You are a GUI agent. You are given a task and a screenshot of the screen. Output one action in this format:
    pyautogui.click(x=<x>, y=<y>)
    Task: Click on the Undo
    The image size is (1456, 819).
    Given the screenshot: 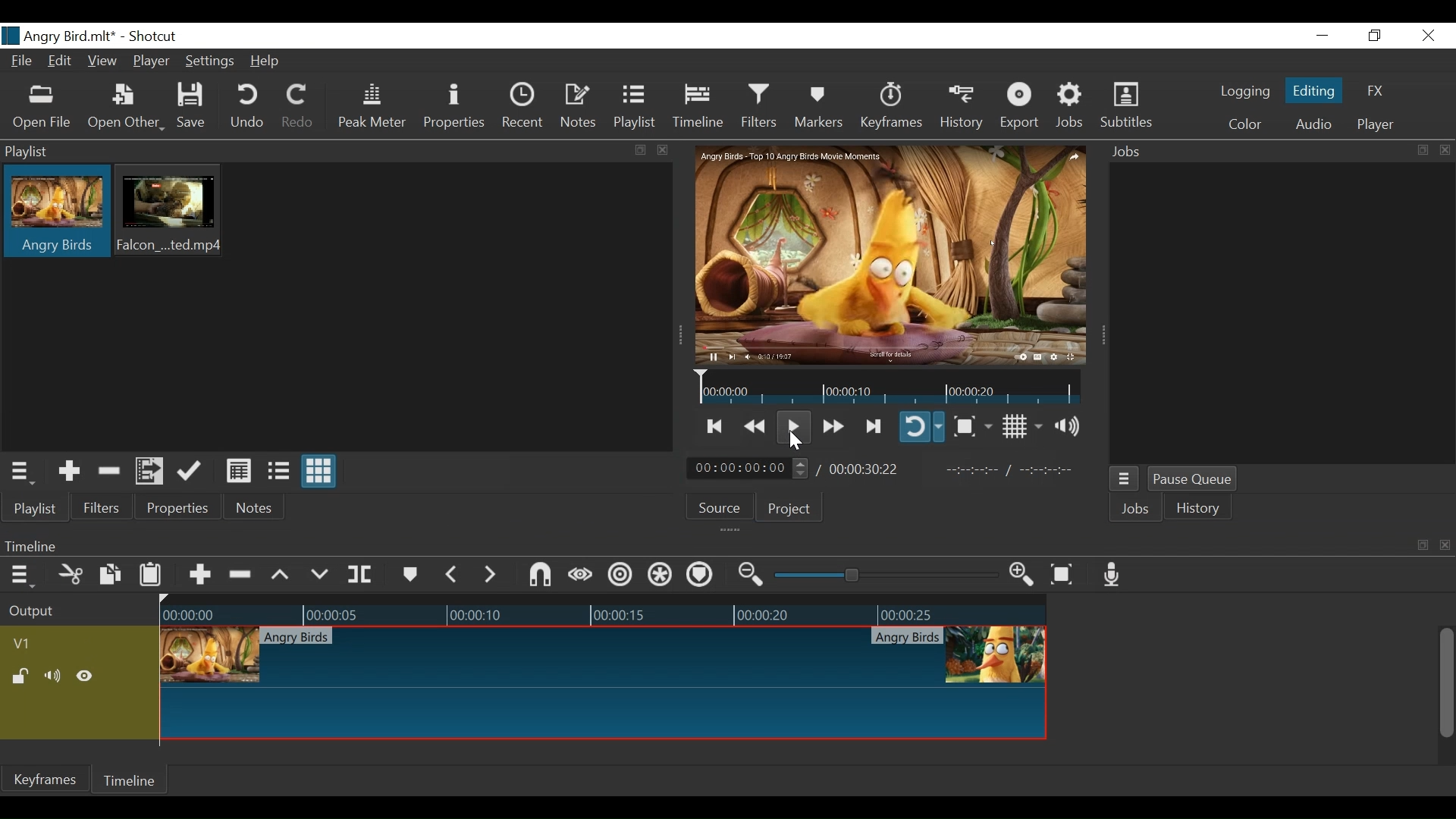 What is the action you would take?
    pyautogui.click(x=249, y=108)
    